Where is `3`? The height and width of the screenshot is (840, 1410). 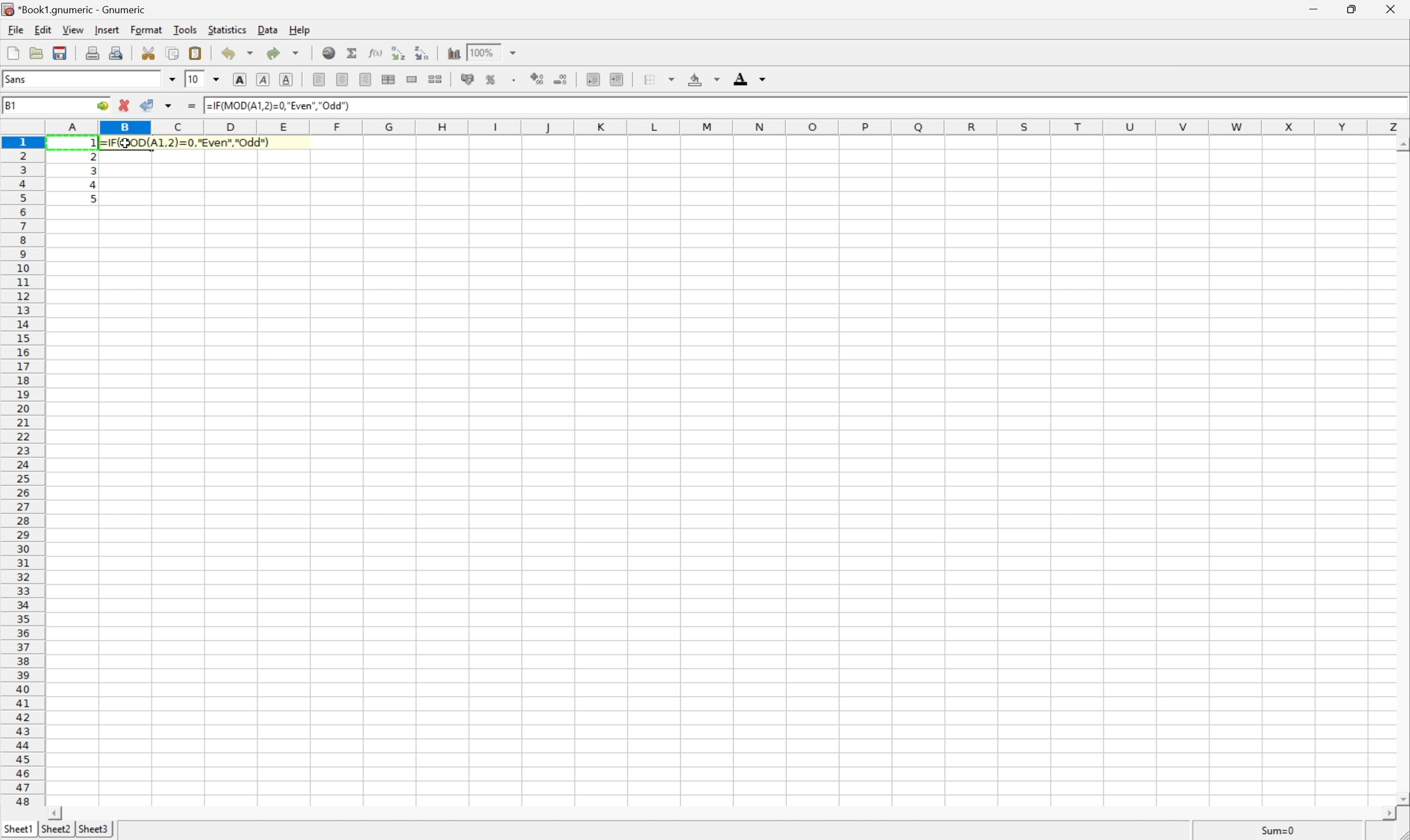
3 is located at coordinates (93, 170).